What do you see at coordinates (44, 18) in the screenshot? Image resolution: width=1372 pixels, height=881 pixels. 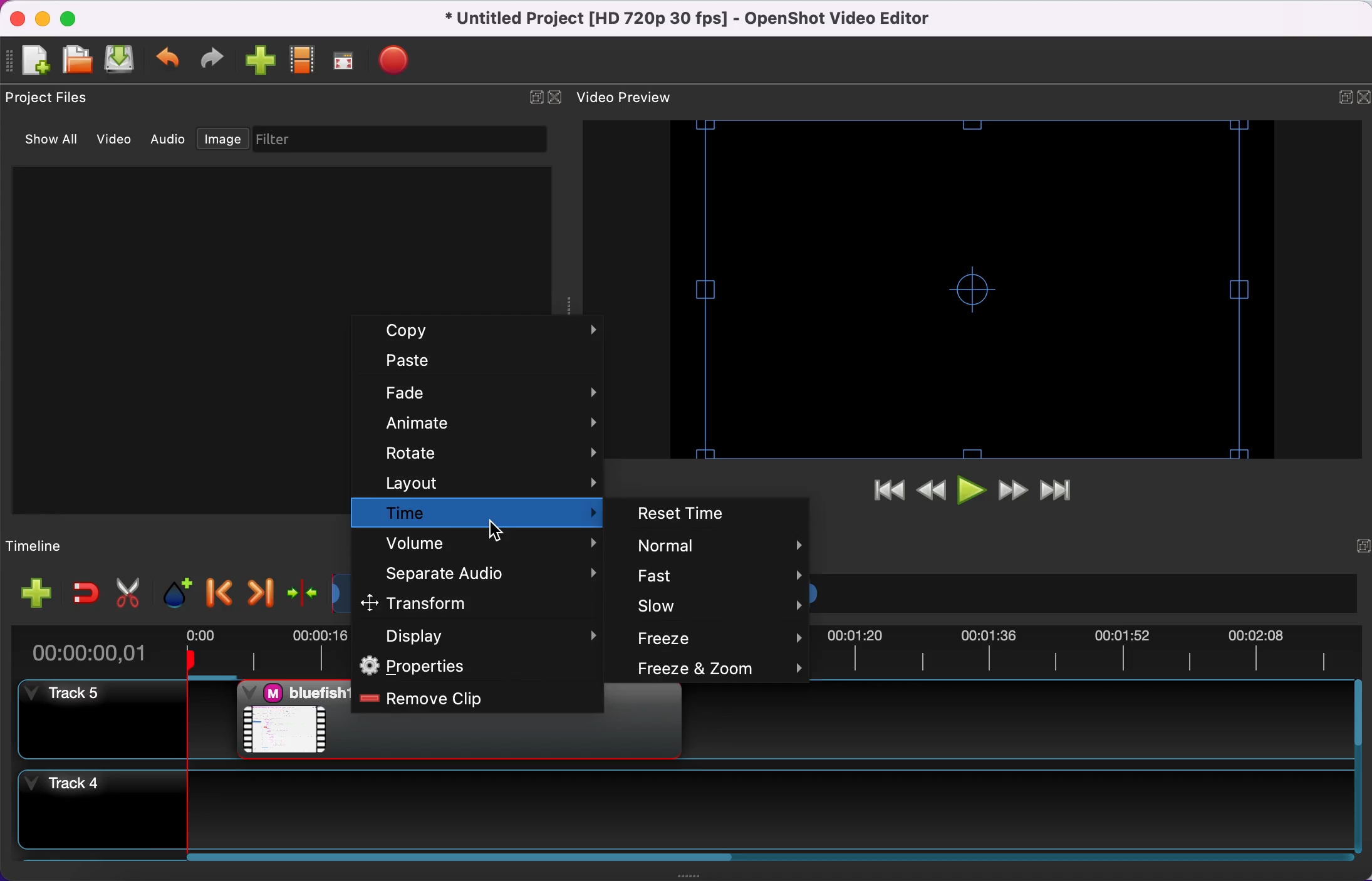 I see `minimize` at bounding box center [44, 18].